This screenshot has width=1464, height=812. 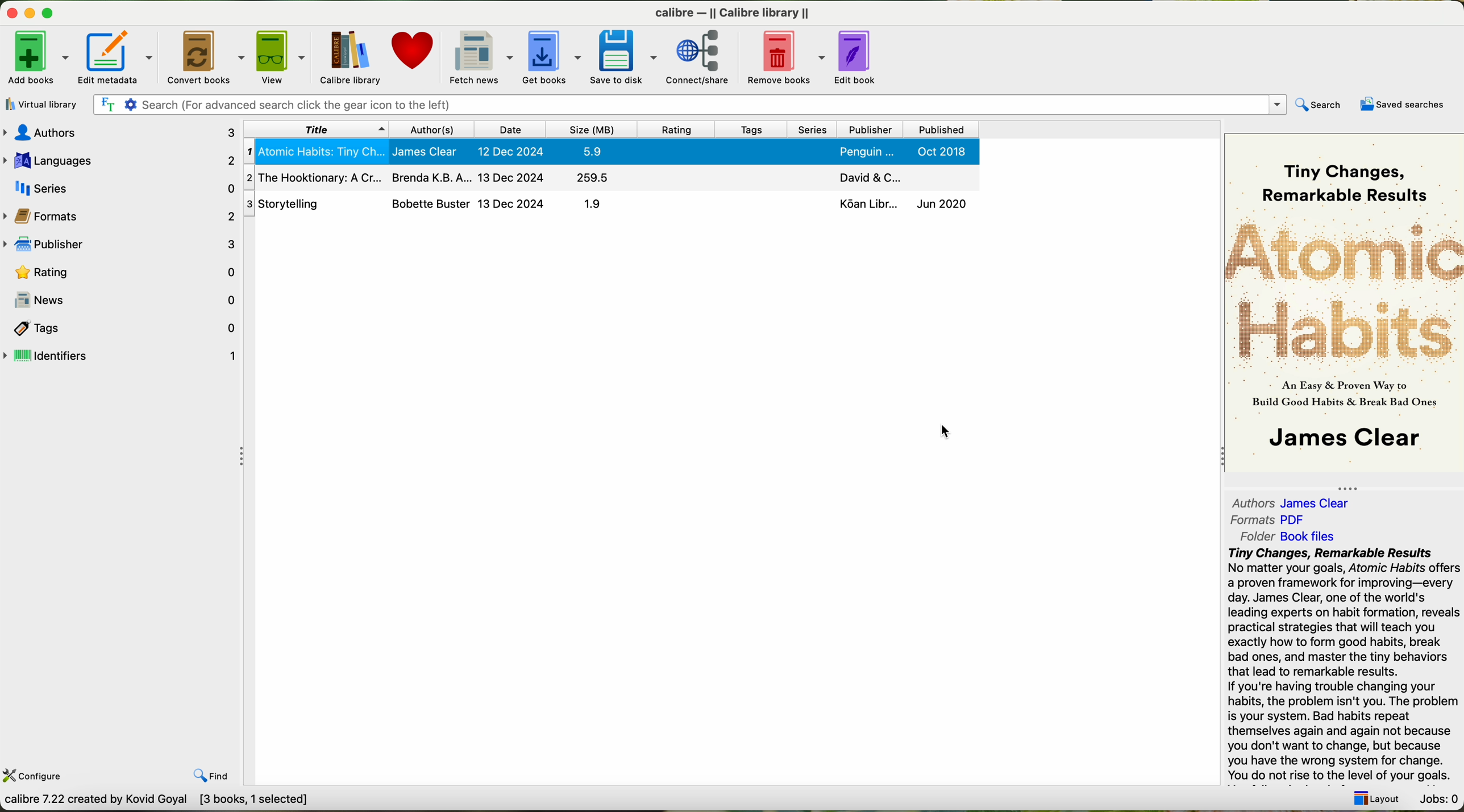 I want to click on 2| The Hooktionary: A Cr... Brenda K.B. A... 13 Dec 2024 259.5, so click(x=437, y=177).